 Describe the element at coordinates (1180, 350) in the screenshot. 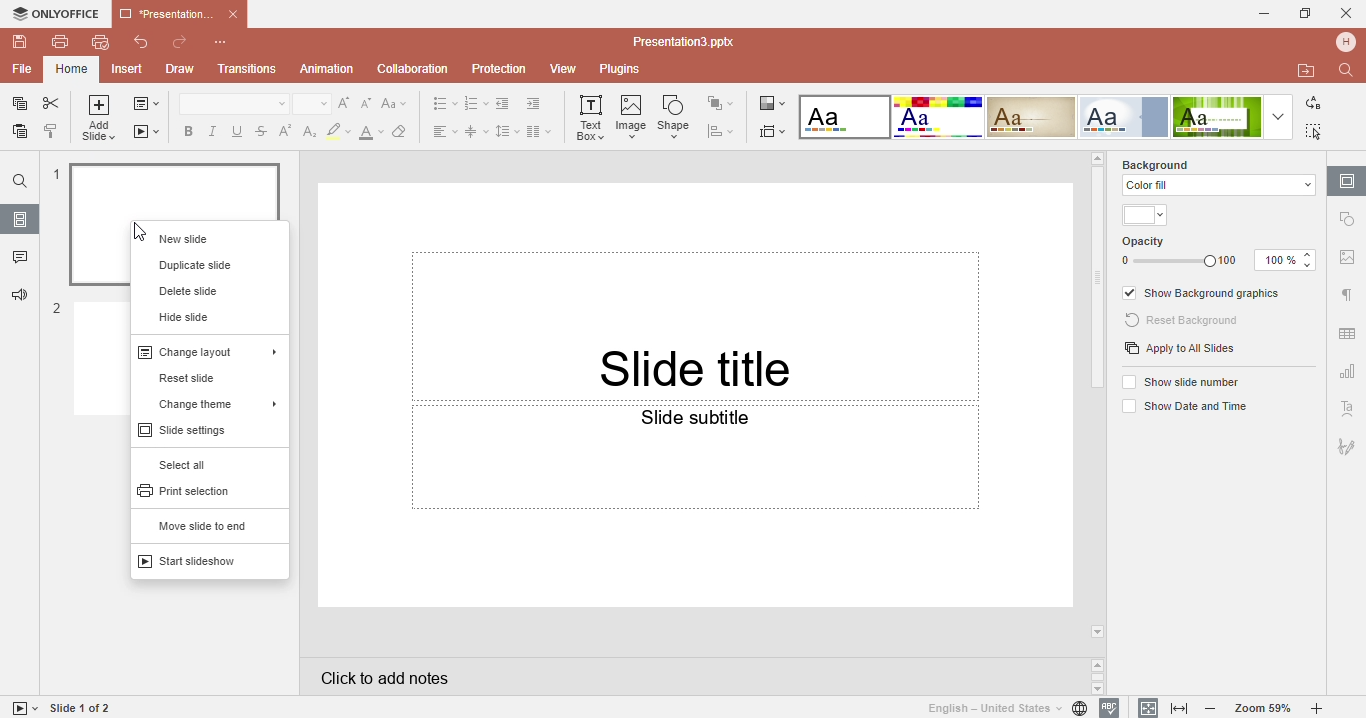

I see `Apply to all slides` at that location.